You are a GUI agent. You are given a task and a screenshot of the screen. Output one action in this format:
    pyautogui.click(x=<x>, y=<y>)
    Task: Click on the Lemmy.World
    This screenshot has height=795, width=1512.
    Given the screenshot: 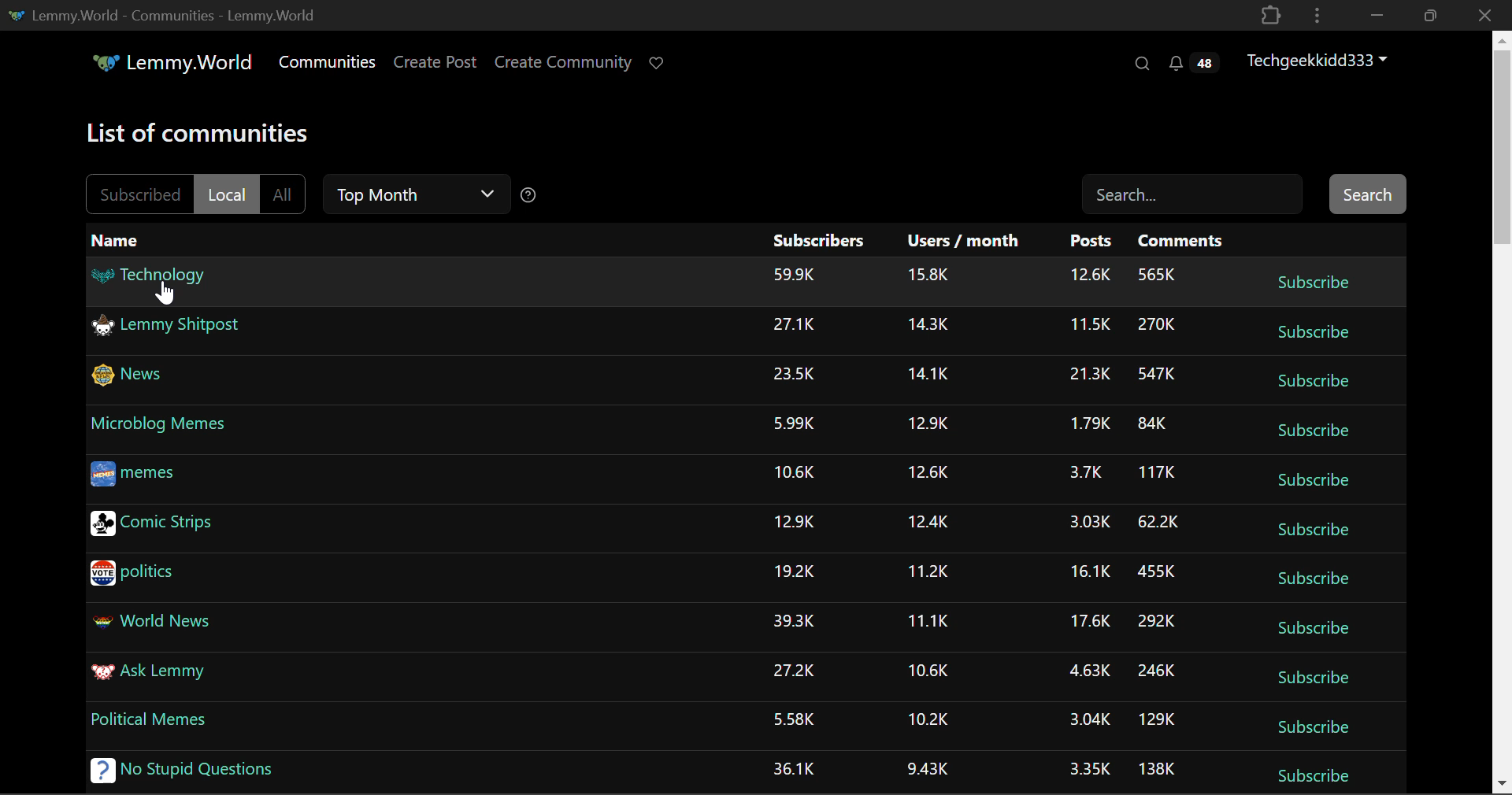 What is the action you would take?
    pyautogui.click(x=175, y=65)
    